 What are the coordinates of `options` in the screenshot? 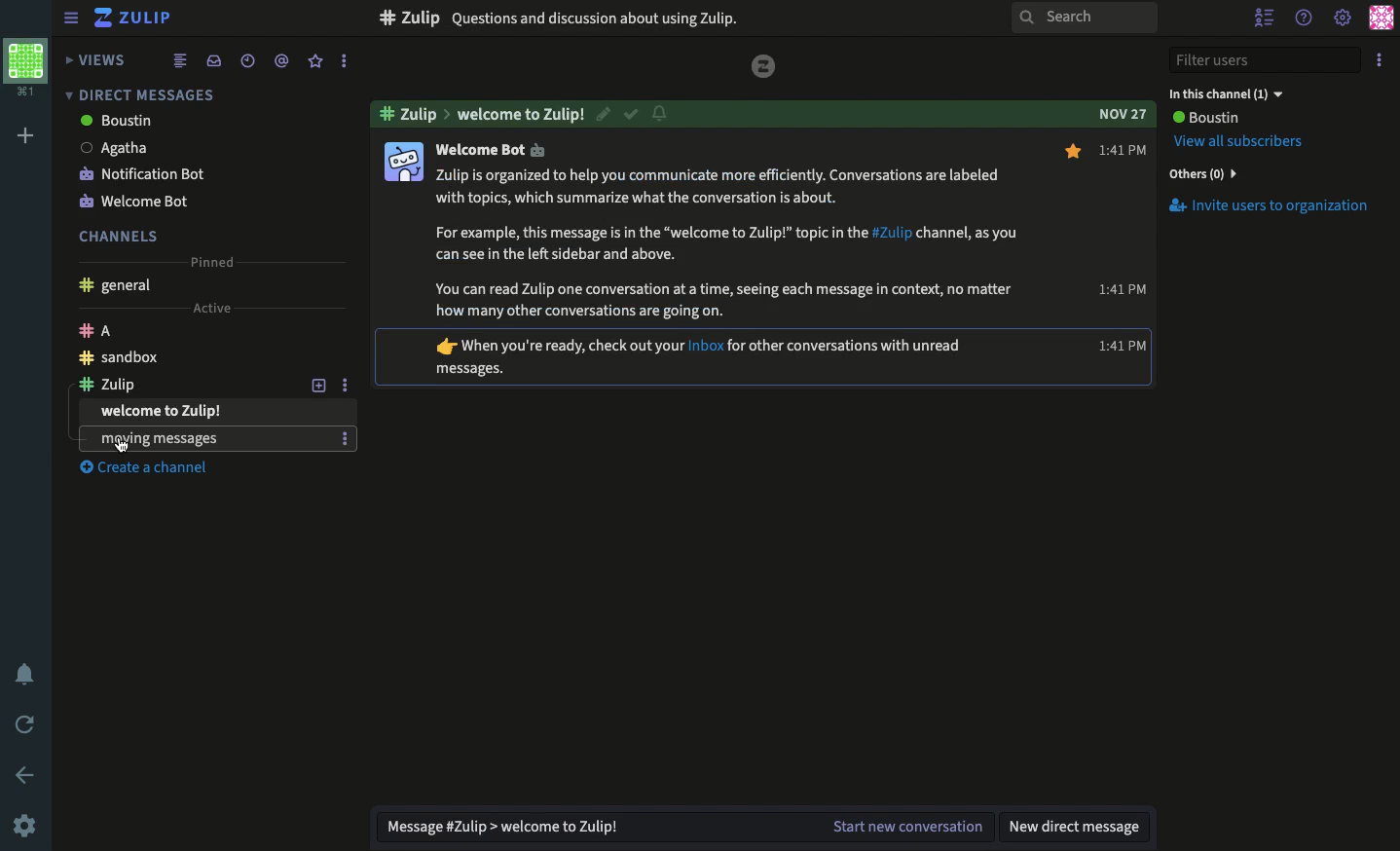 It's located at (345, 441).